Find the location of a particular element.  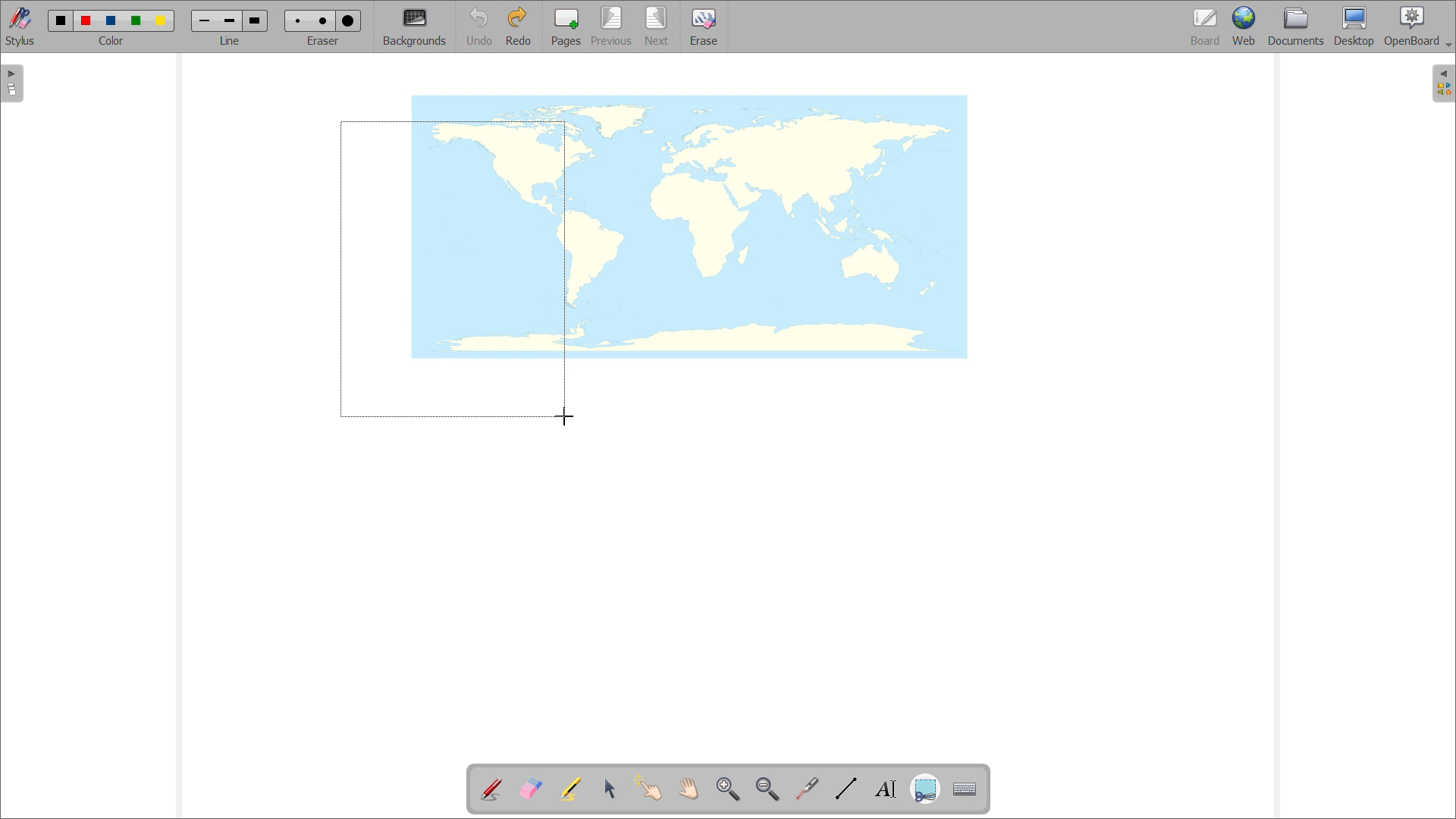

openboard settings is located at coordinates (1417, 25).